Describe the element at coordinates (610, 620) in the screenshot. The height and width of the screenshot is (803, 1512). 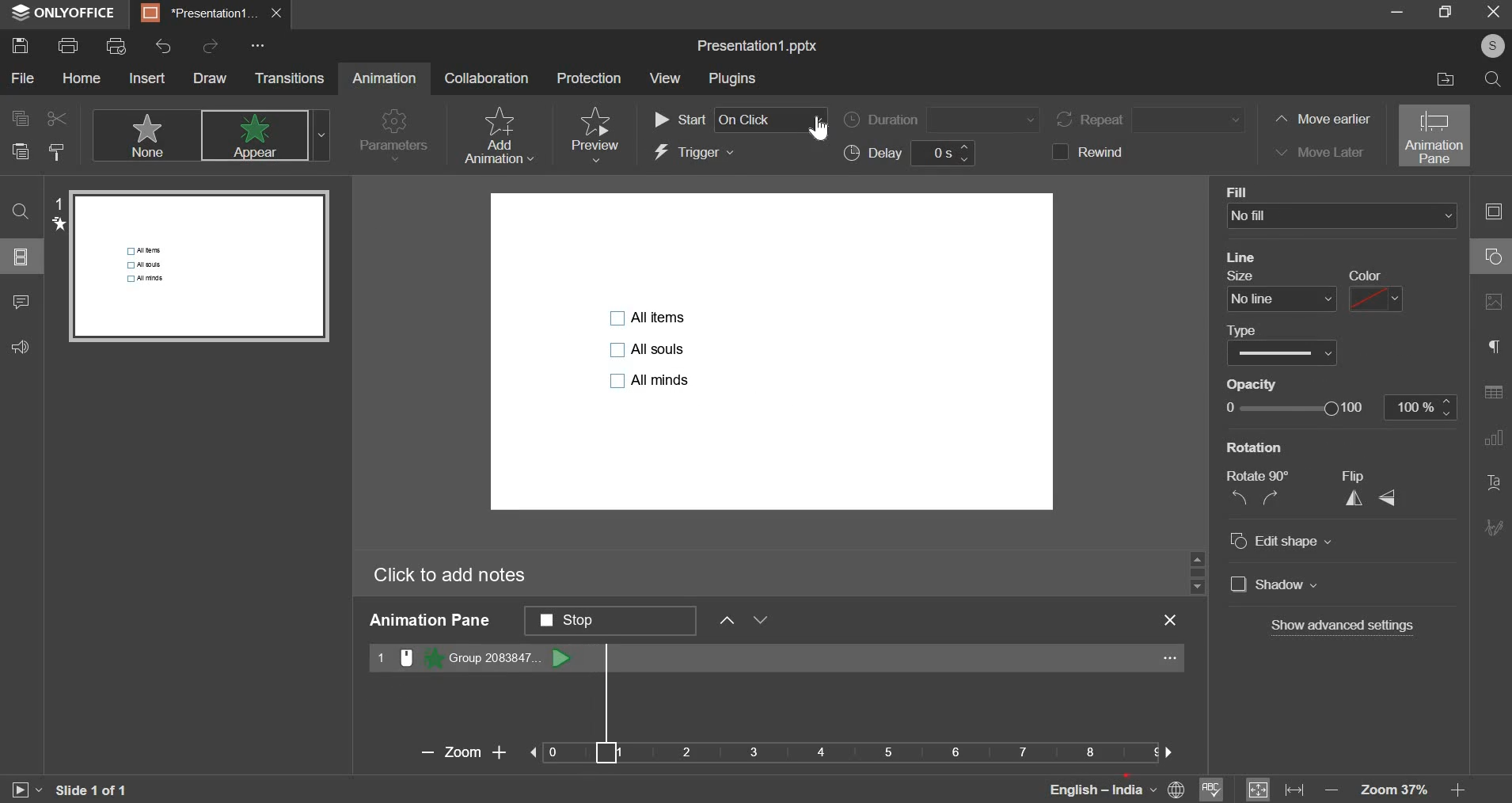
I see `animation pane order` at that location.